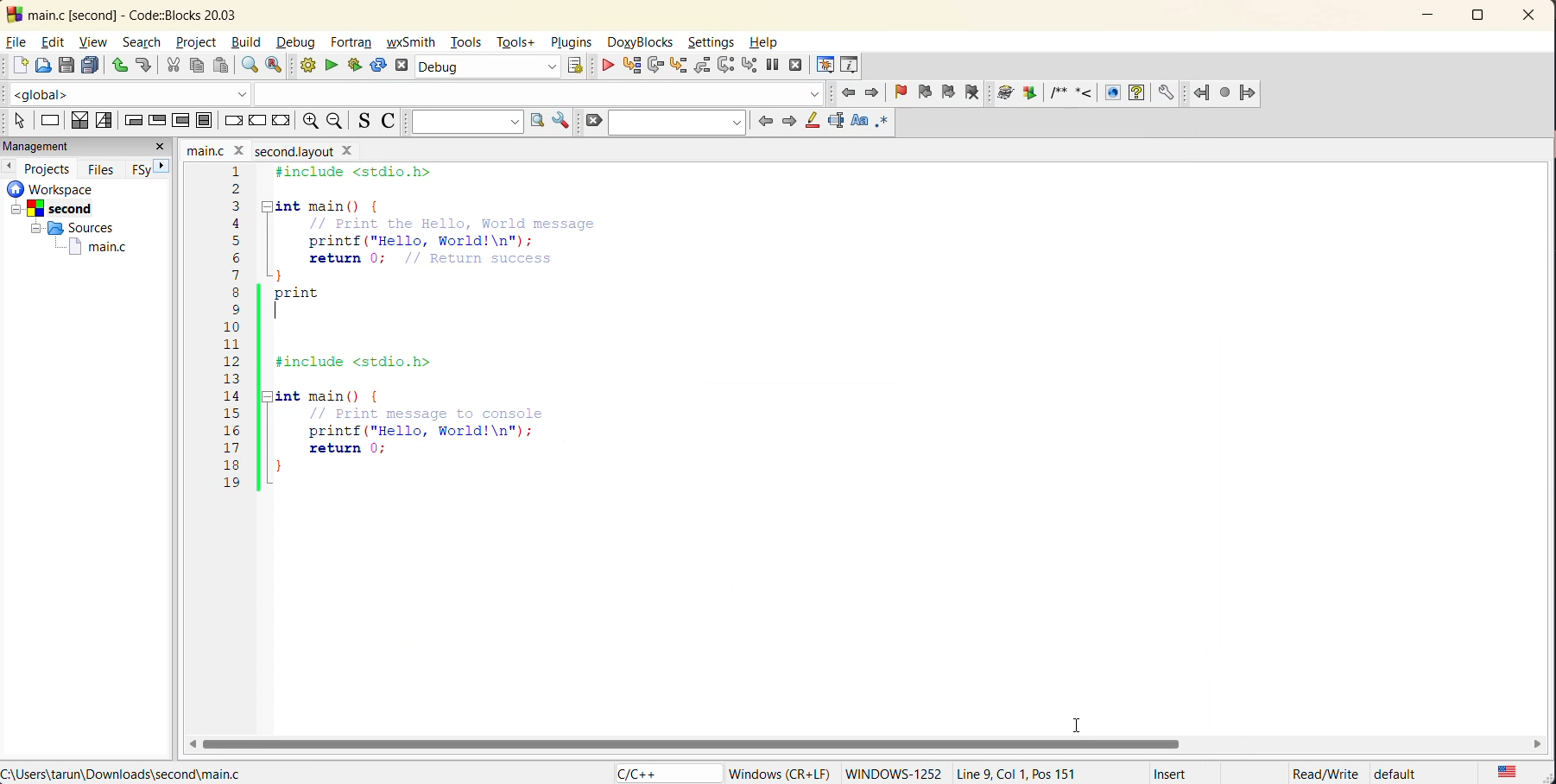 This screenshot has width=1556, height=784. I want to click on build, so click(249, 42).